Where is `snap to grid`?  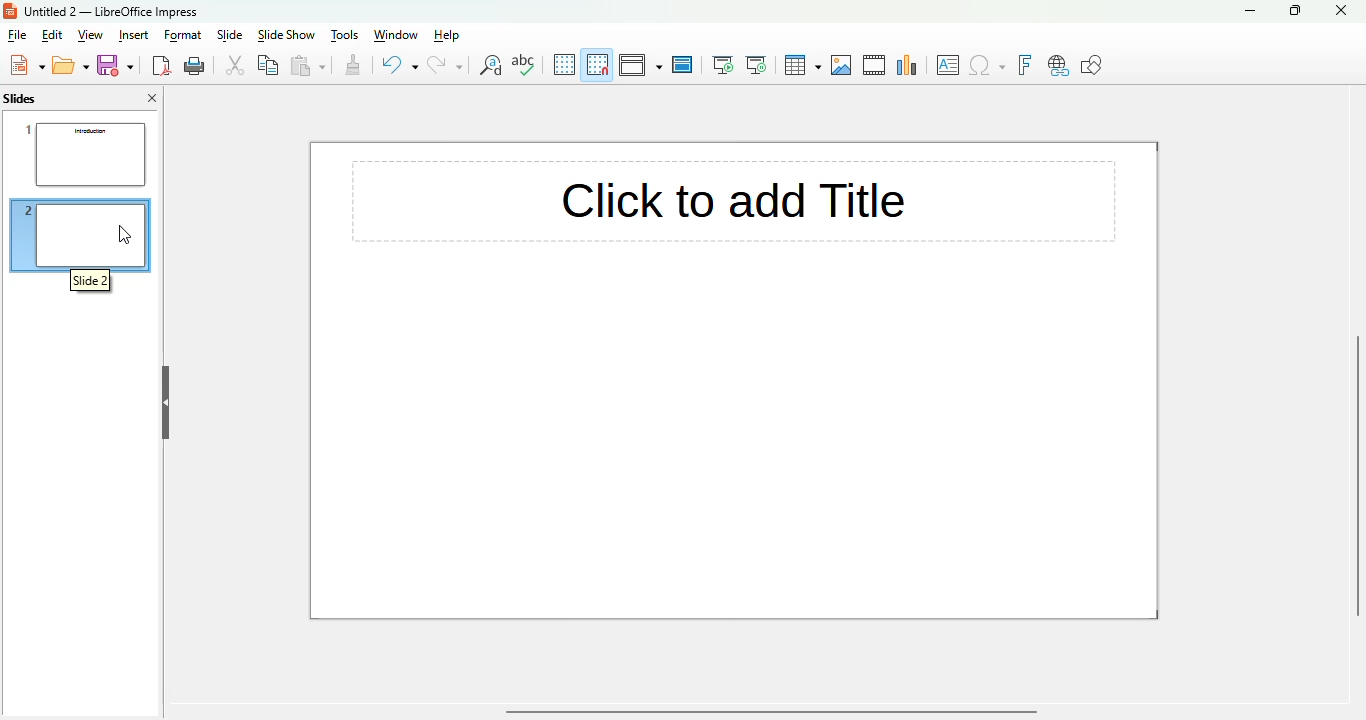 snap to grid is located at coordinates (598, 64).